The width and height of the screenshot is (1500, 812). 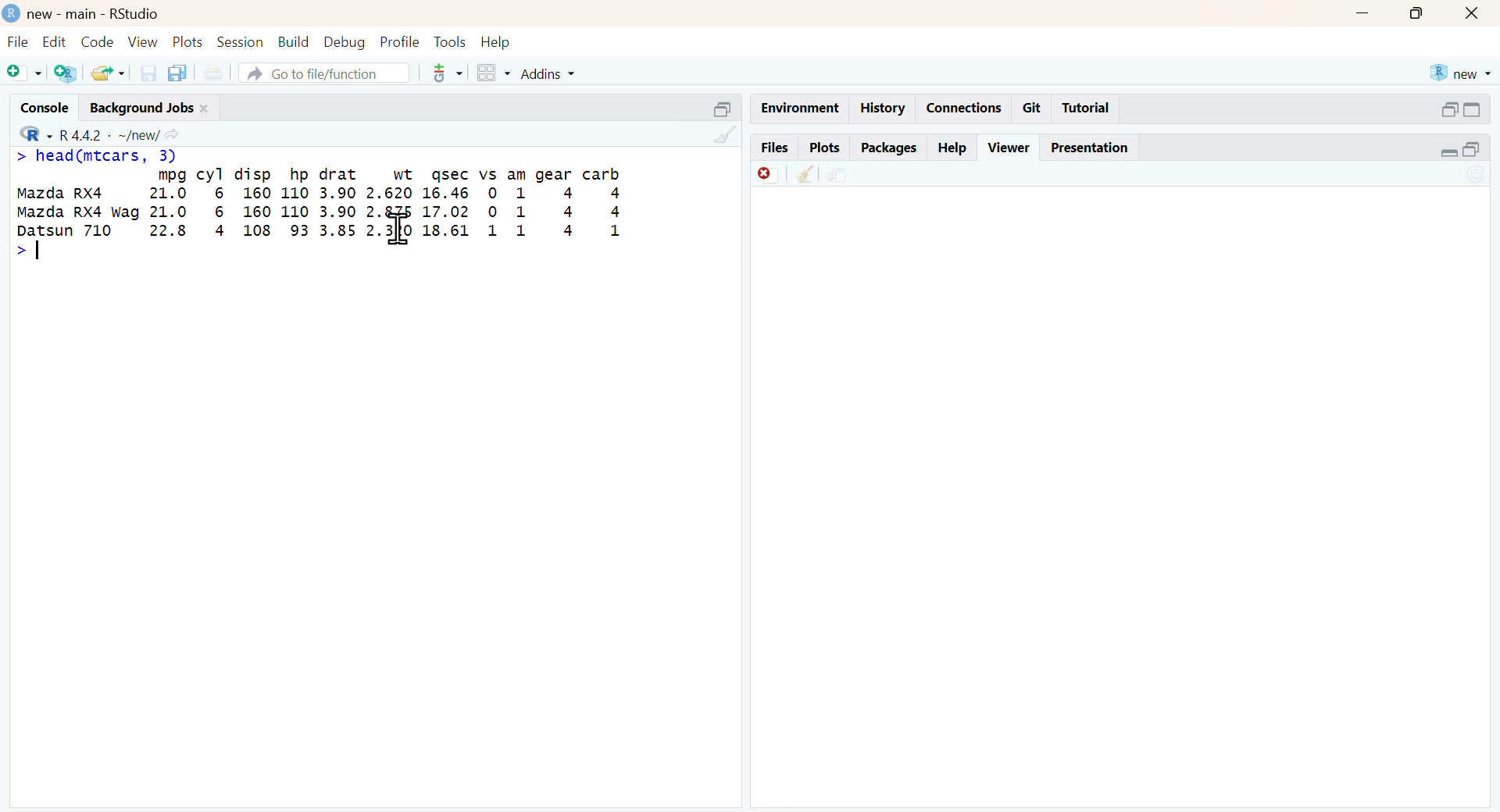 I want to click on Git, so click(x=1033, y=107).